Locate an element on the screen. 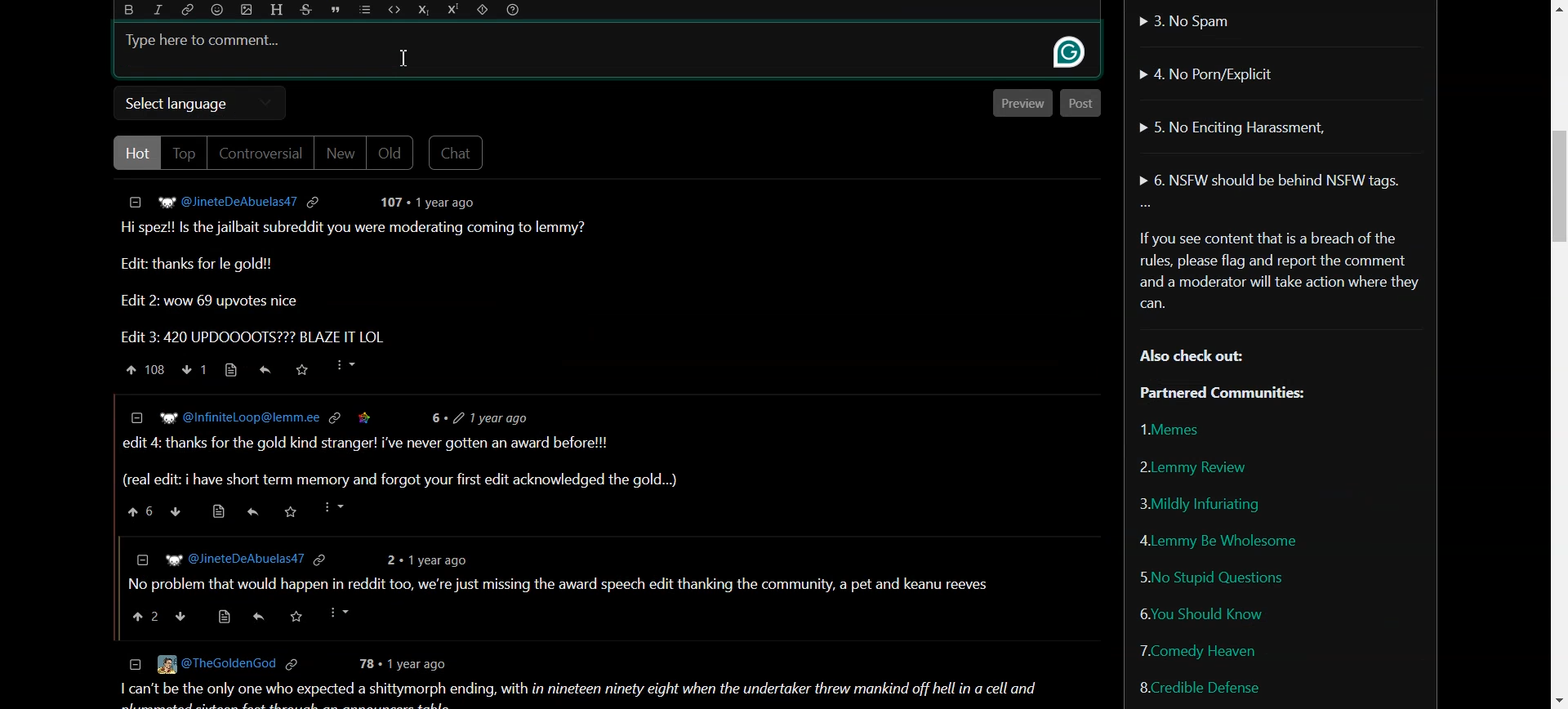  Saved is located at coordinates (304, 370).